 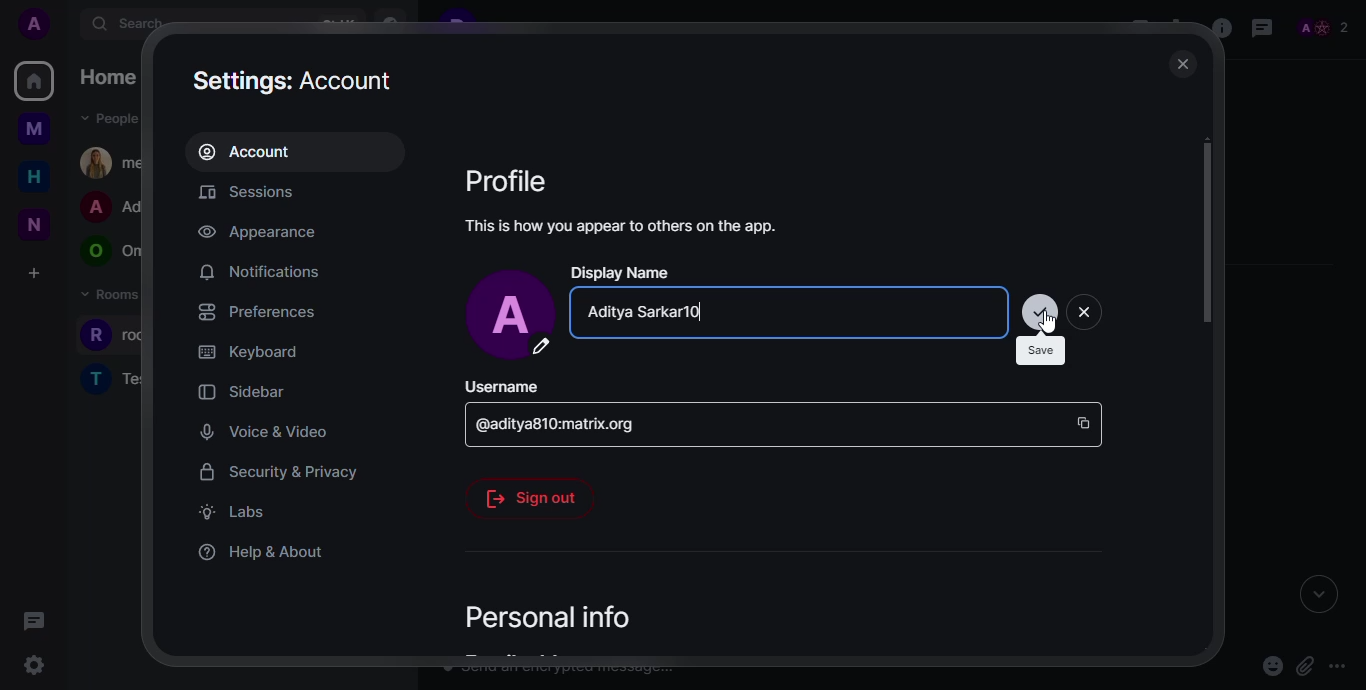 What do you see at coordinates (1207, 246) in the screenshot?
I see `scroll bar` at bounding box center [1207, 246].